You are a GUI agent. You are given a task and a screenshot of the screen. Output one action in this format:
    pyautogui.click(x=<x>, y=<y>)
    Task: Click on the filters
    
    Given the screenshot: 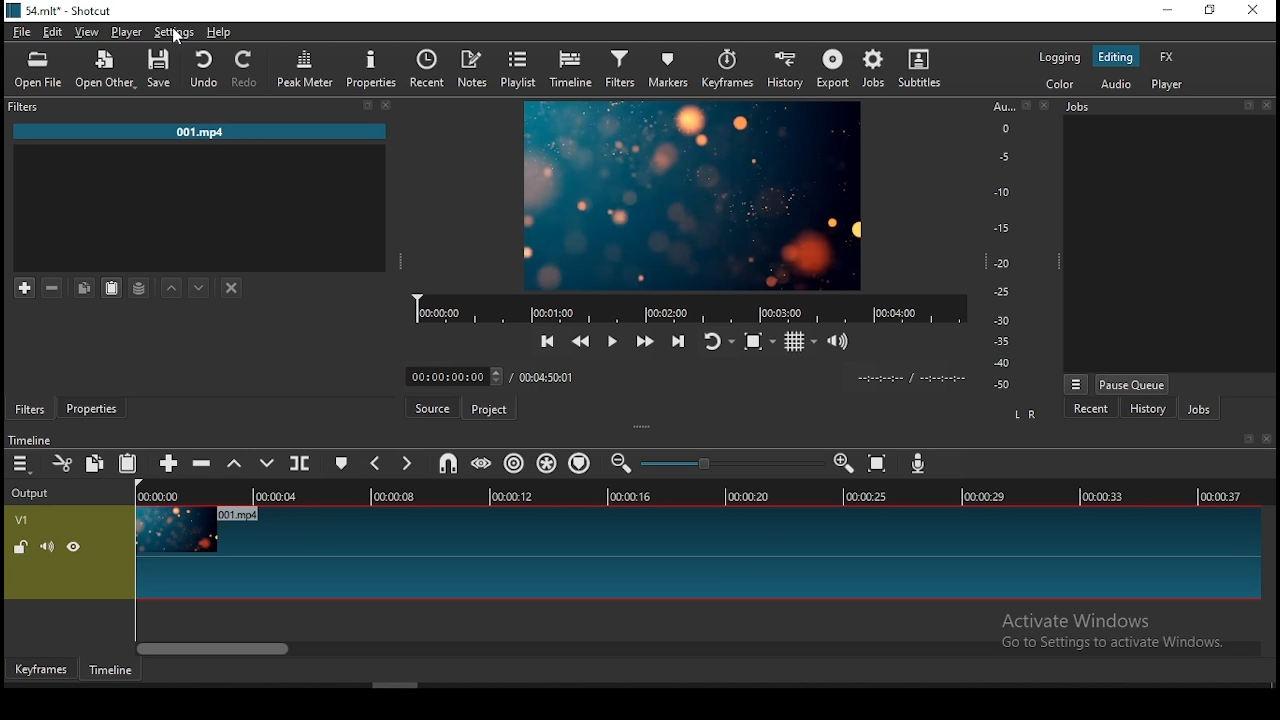 What is the action you would take?
    pyautogui.click(x=30, y=409)
    